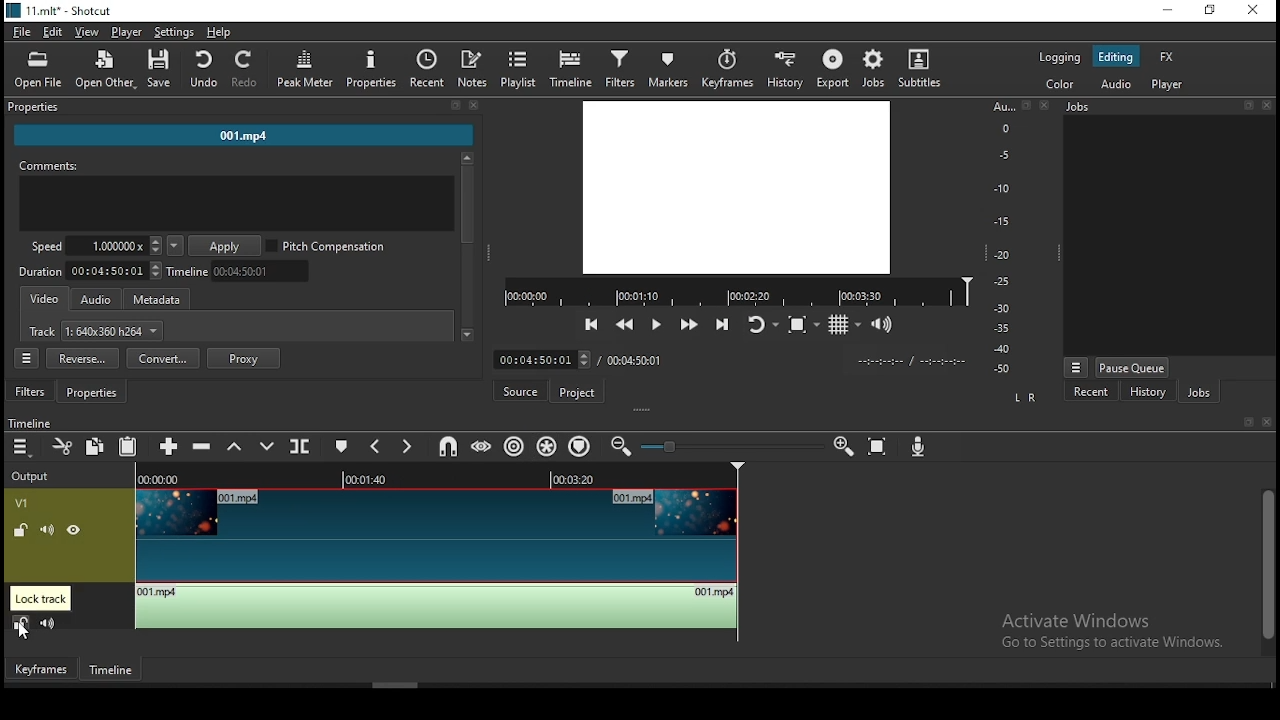 The height and width of the screenshot is (720, 1280). I want to click on more options, so click(1074, 367).